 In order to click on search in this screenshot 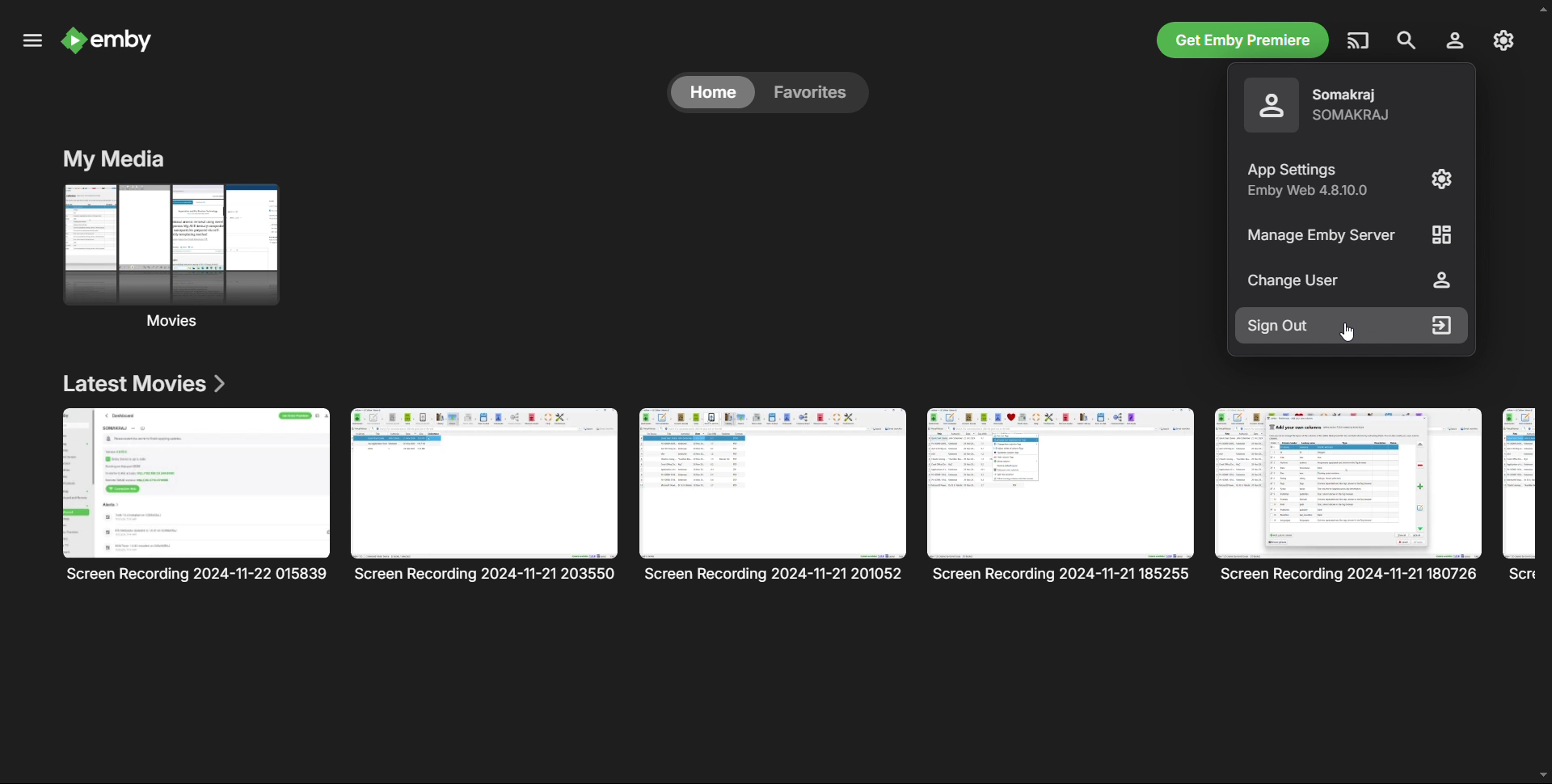, I will do `click(1403, 40)`.